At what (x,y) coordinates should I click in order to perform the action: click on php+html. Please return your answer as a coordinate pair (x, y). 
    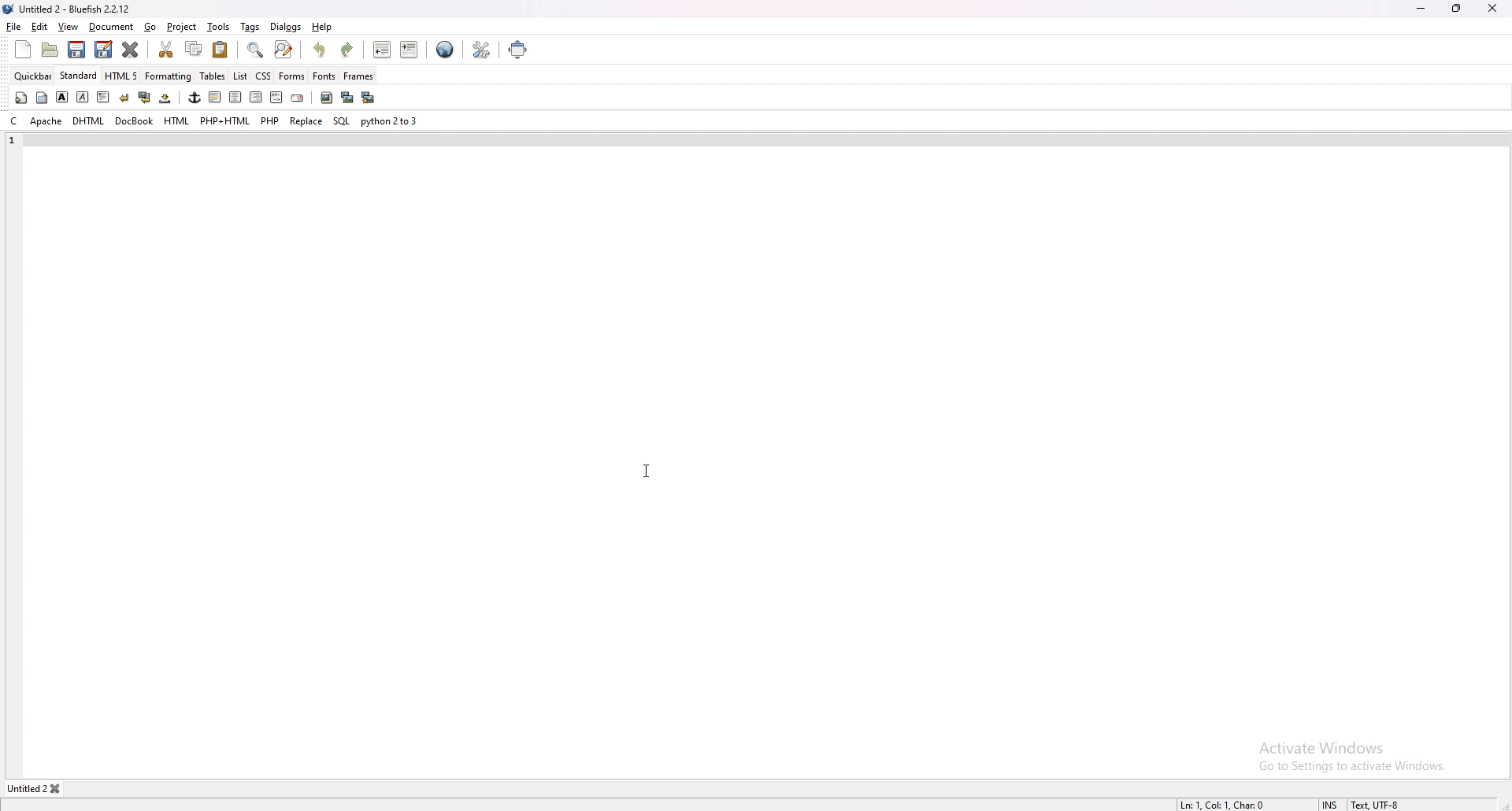
    Looking at the image, I should click on (226, 121).